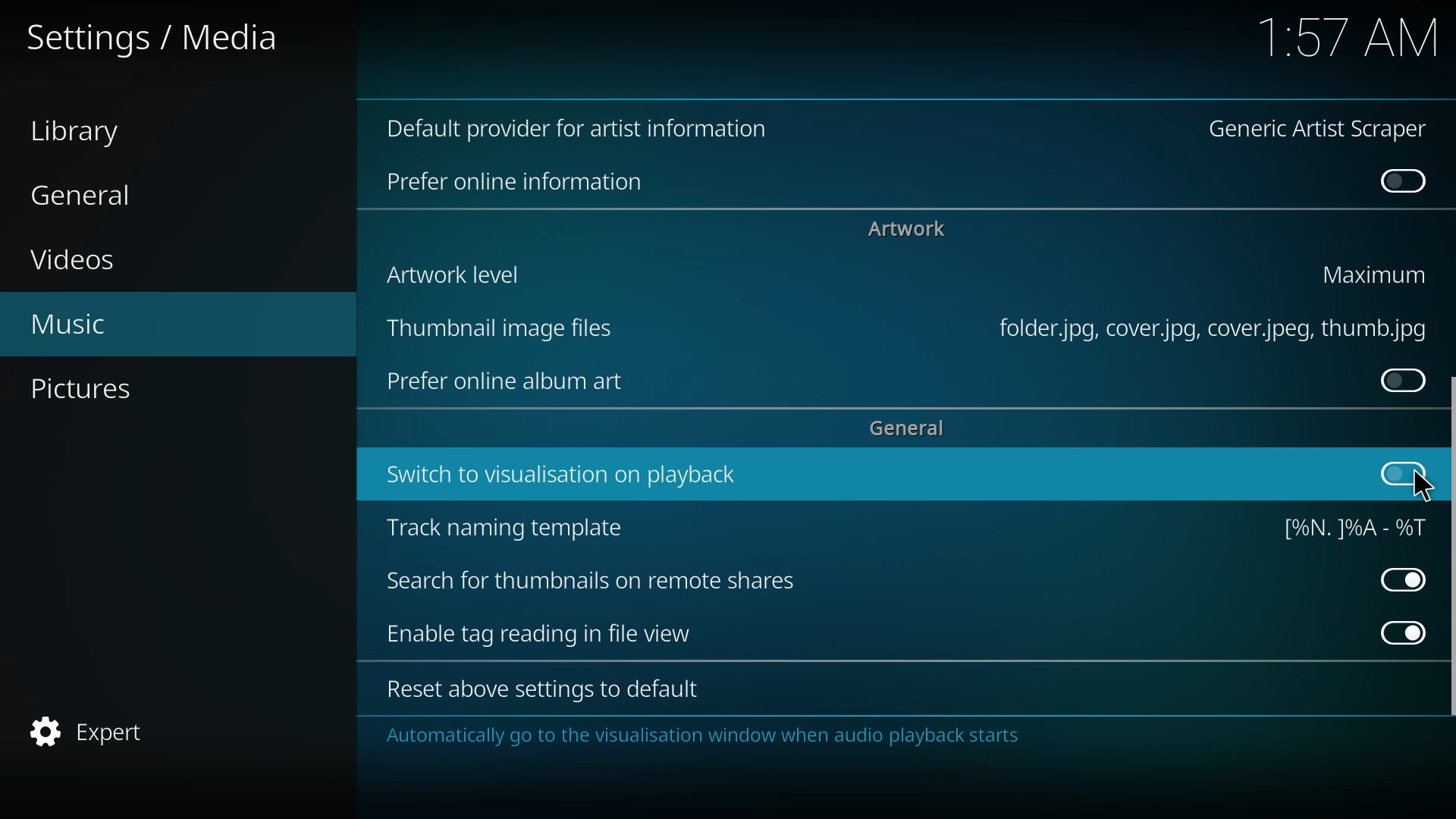 This screenshot has width=1456, height=819. I want to click on settings media, so click(161, 39).